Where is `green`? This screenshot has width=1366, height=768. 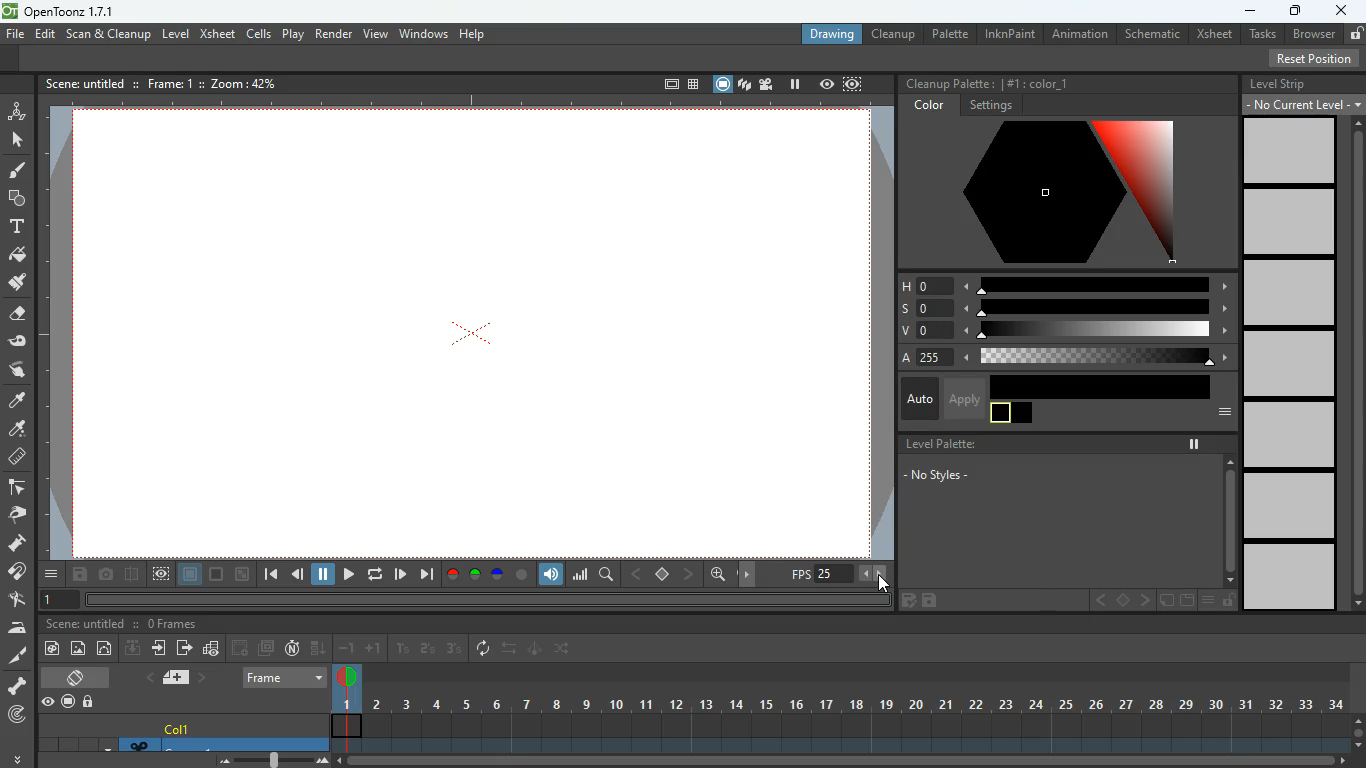 green is located at coordinates (477, 576).